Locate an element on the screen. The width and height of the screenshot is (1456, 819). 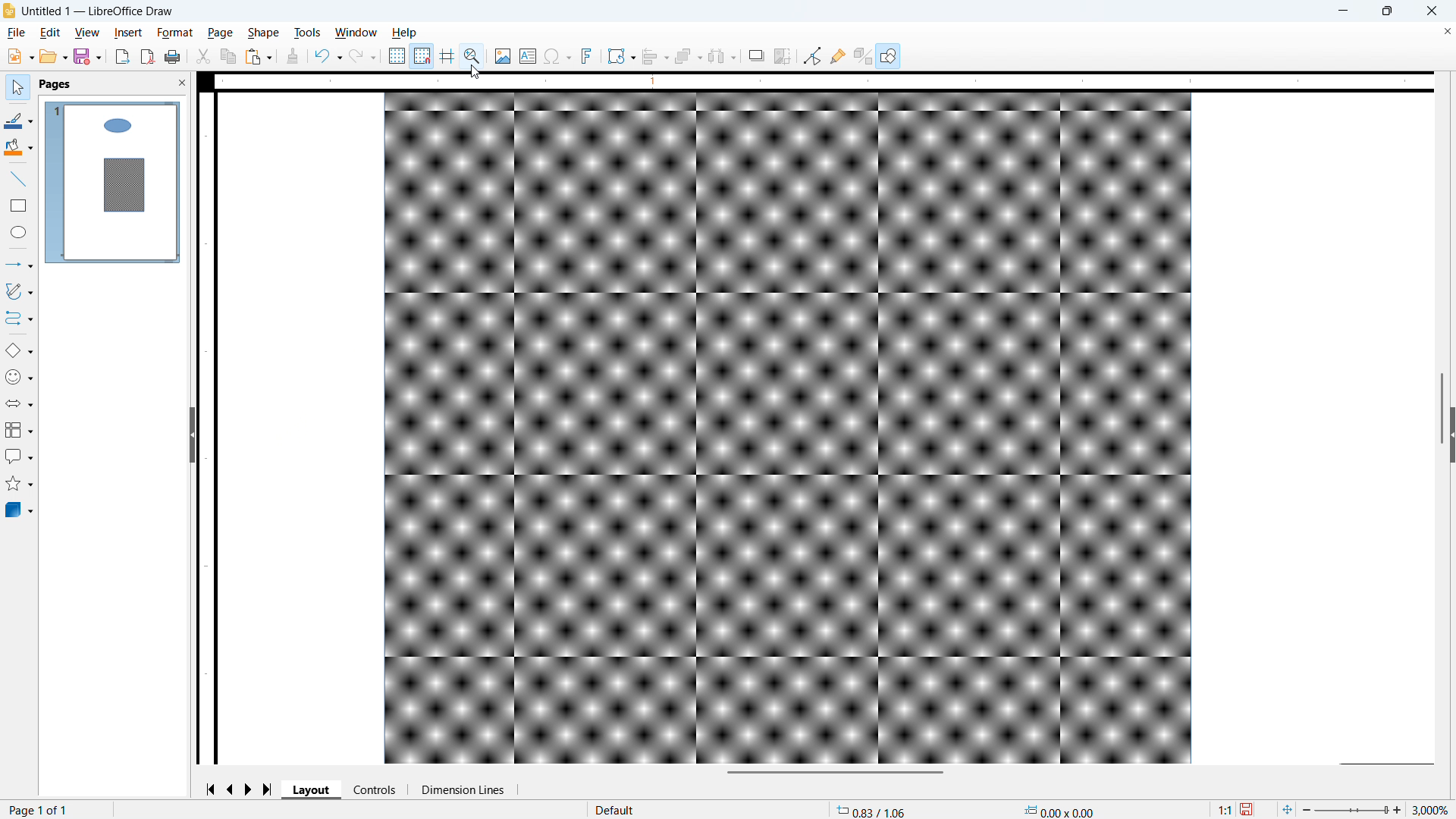
Basic shapes  is located at coordinates (18, 351).